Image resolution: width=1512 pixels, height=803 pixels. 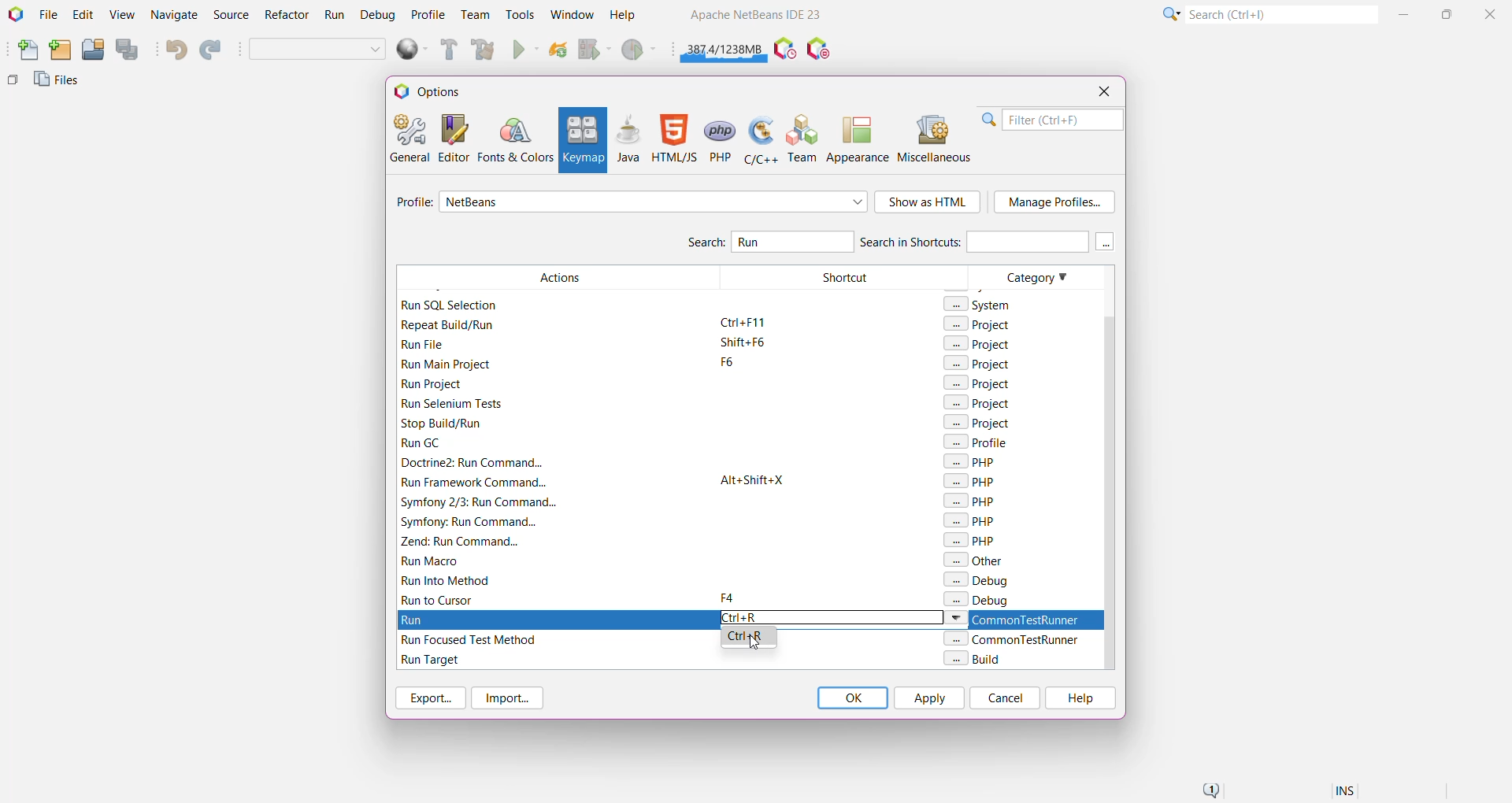 What do you see at coordinates (1169, 13) in the screenshot?
I see `Click or press Shift+F10 for Category Selection` at bounding box center [1169, 13].